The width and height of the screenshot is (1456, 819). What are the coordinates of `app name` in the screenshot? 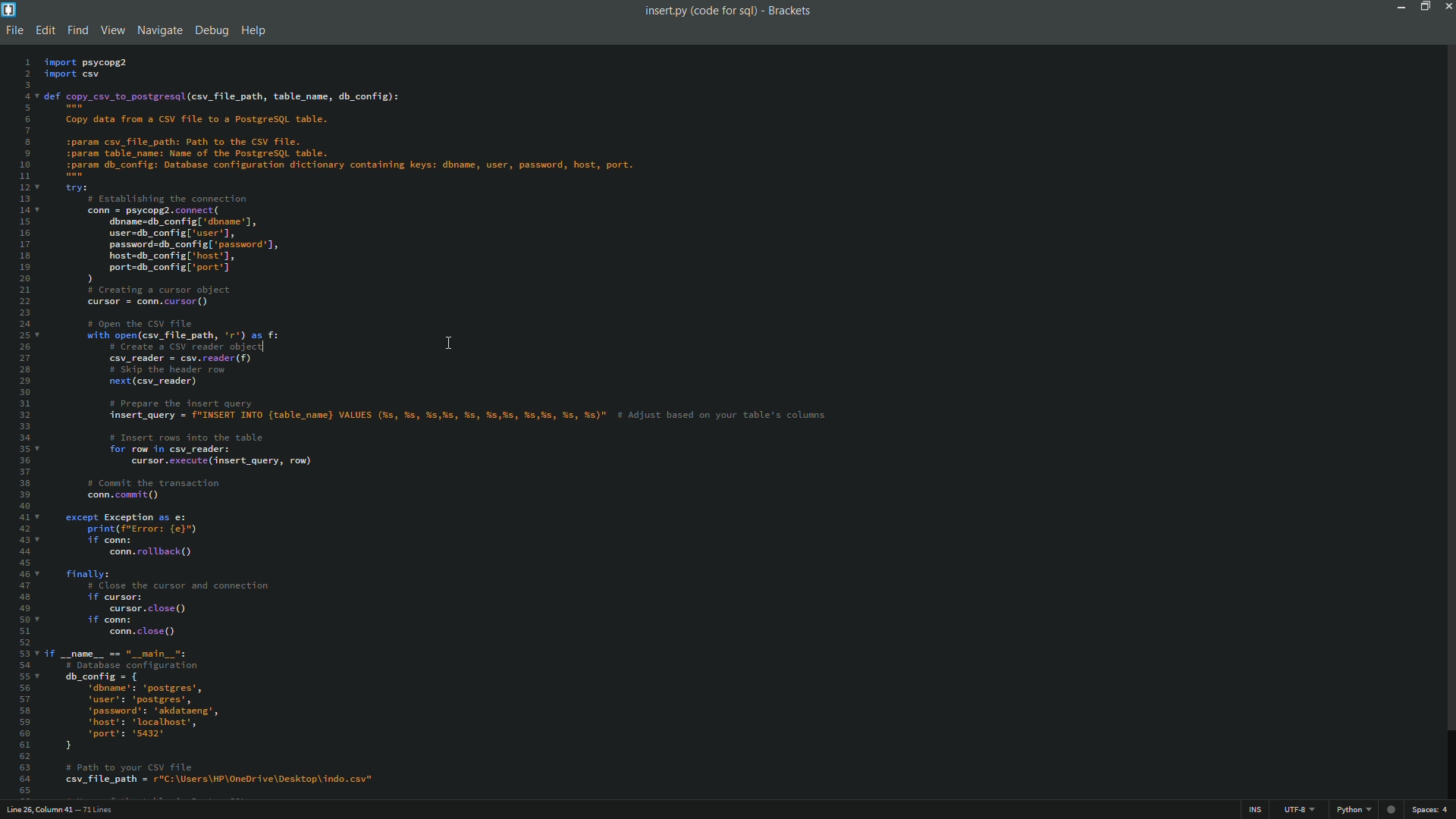 It's located at (789, 9).